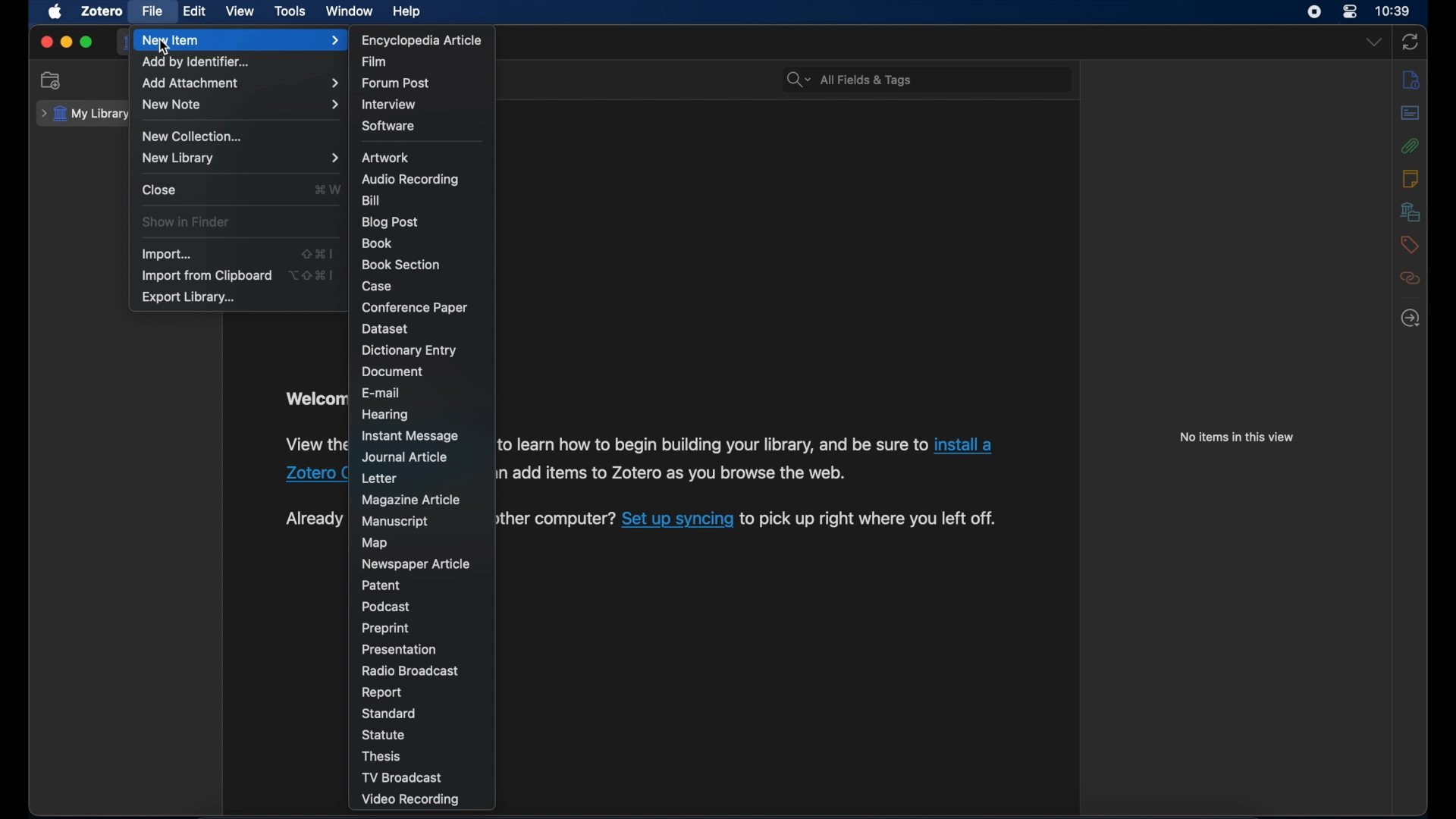 The height and width of the screenshot is (819, 1456). What do you see at coordinates (395, 522) in the screenshot?
I see `manuscript` at bounding box center [395, 522].